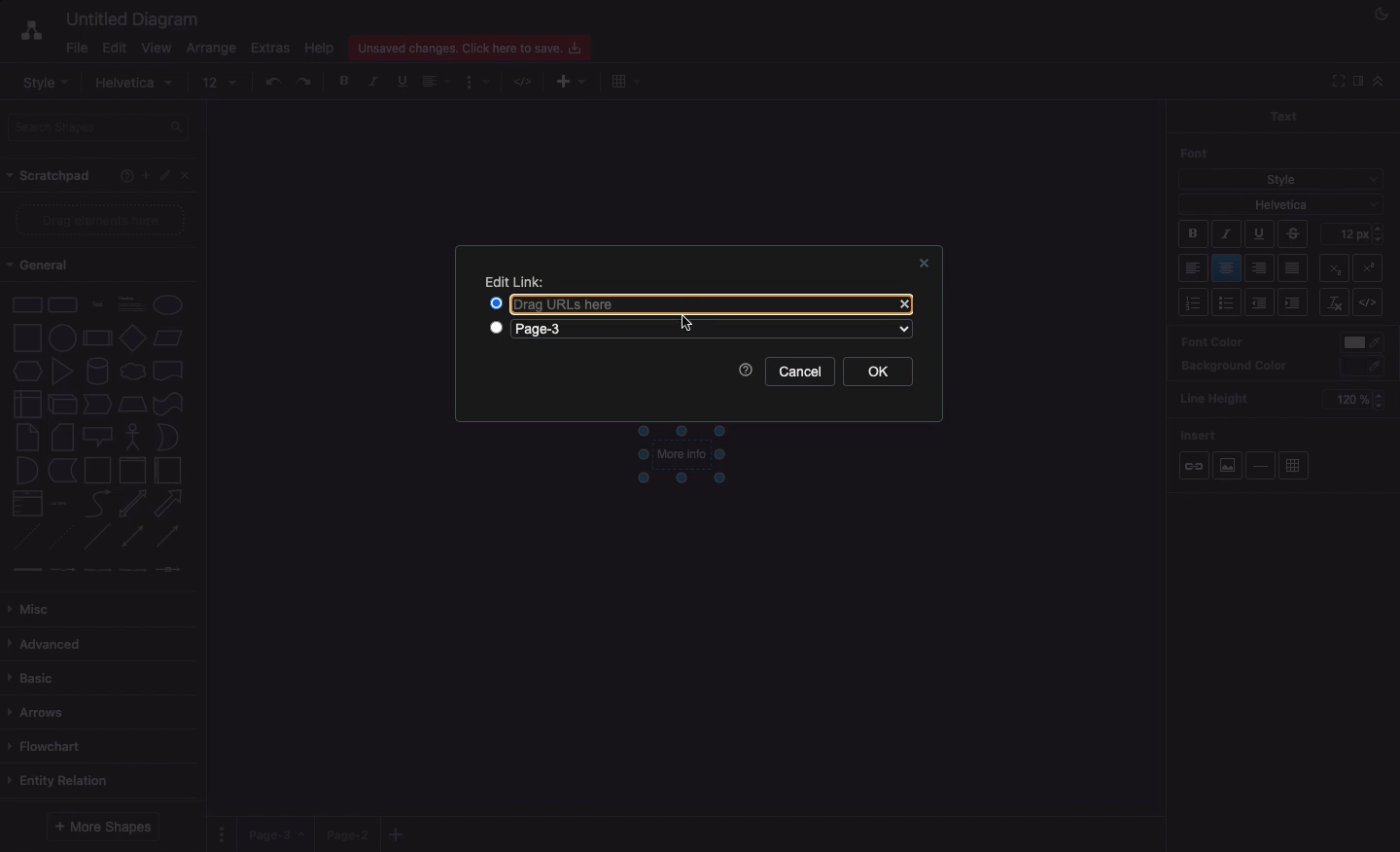 The image size is (1400, 852). Describe the element at coordinates (477, 83) in the screenshot. I see `Format` at that location.